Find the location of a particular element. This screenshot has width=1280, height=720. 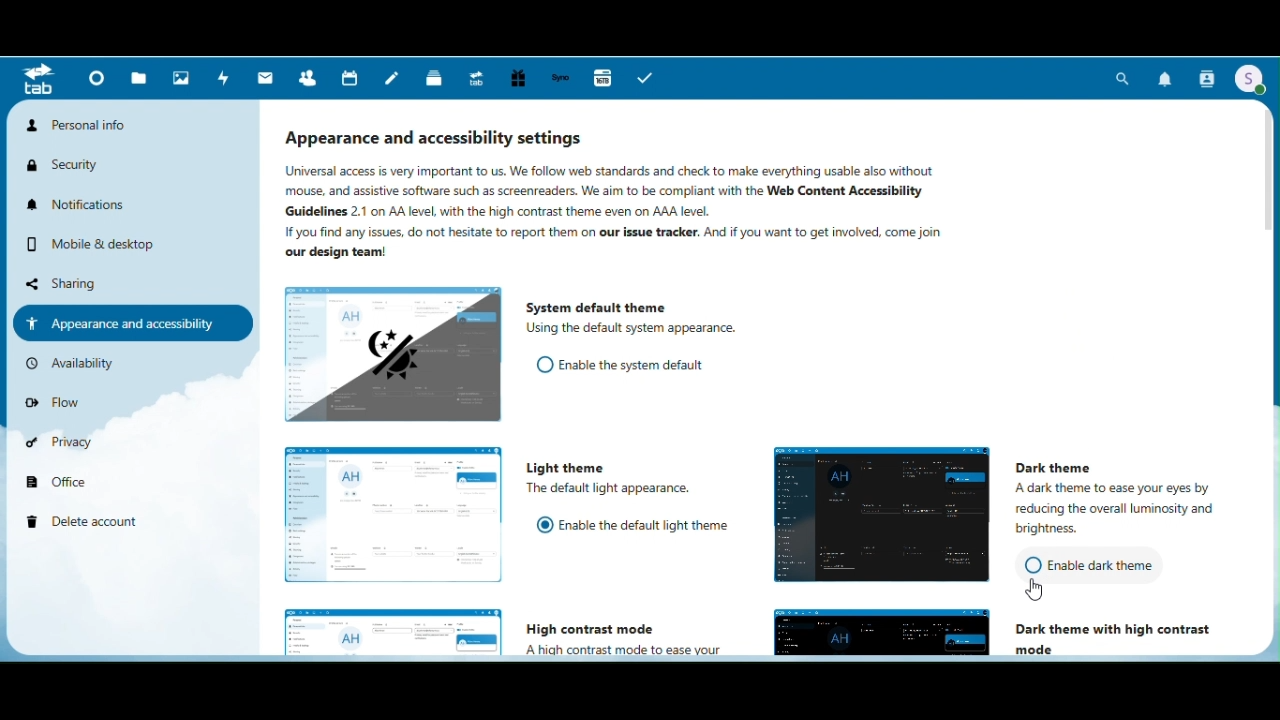

Synology is located at coordinates (563, 79).